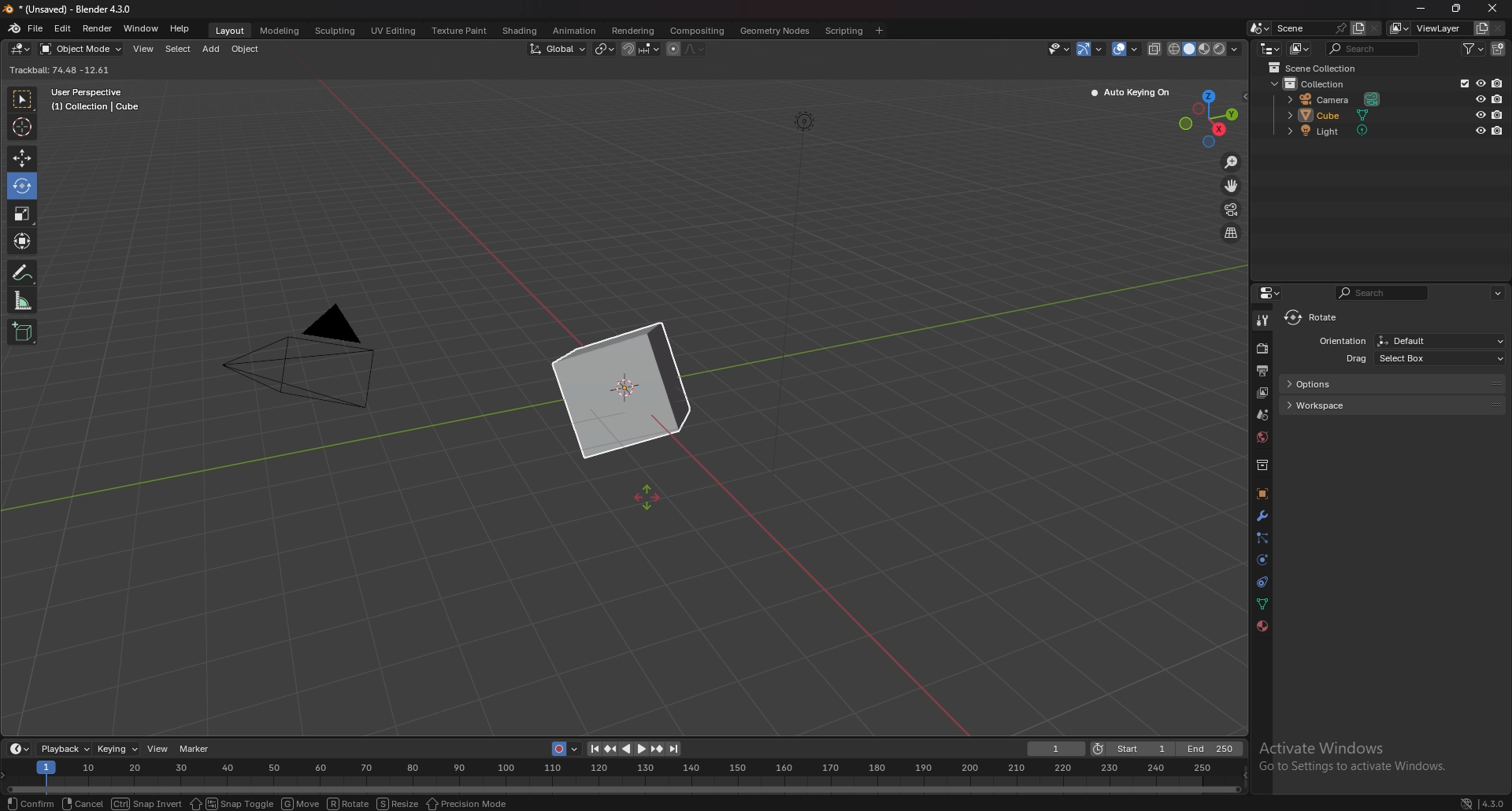 This screenshot has width=1512, height=811. What do you see at coordinates (232, 803) in the screenshot?
I see `snap toggle` at bounding box center [232, 803].